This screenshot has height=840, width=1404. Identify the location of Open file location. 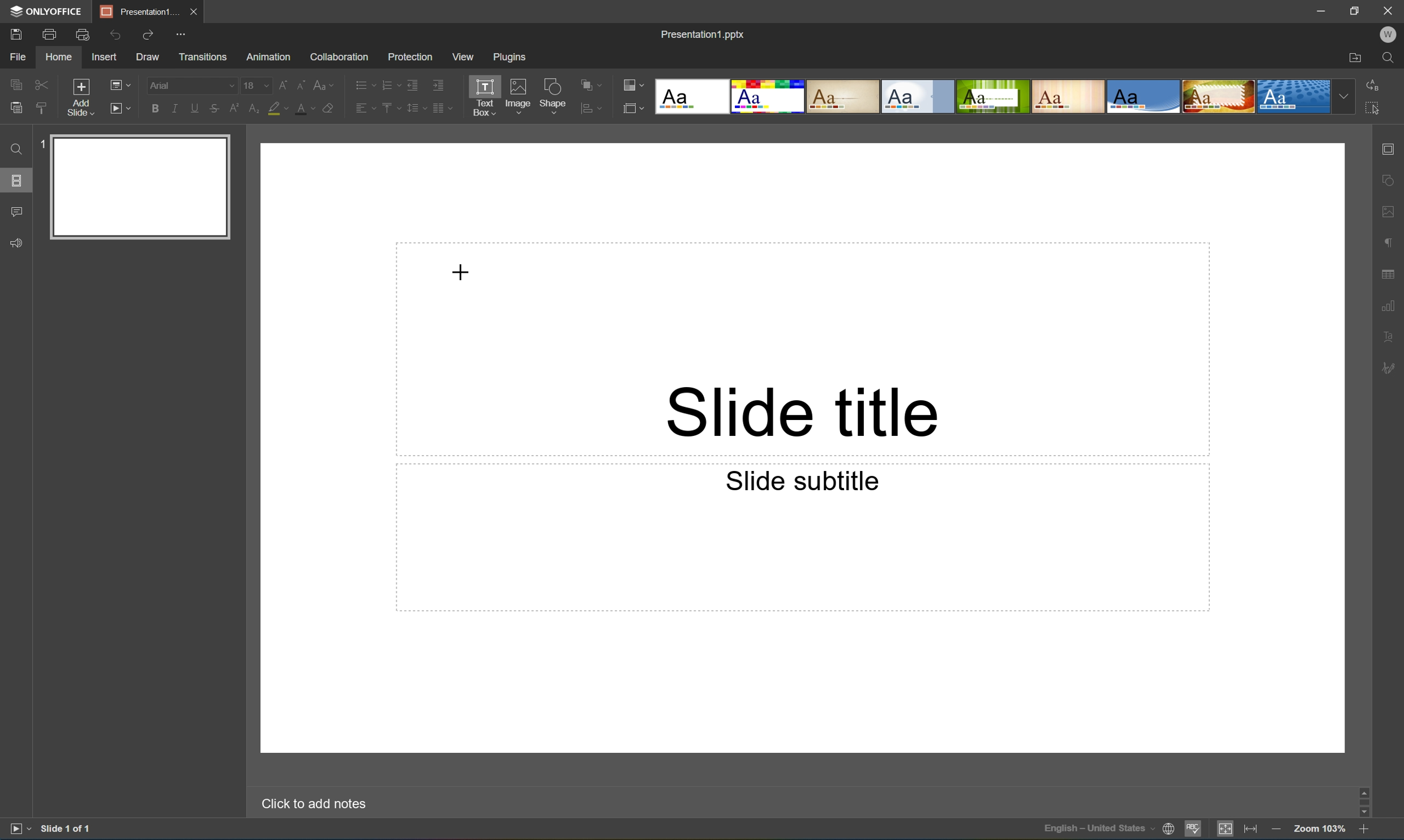
(1355, 59).